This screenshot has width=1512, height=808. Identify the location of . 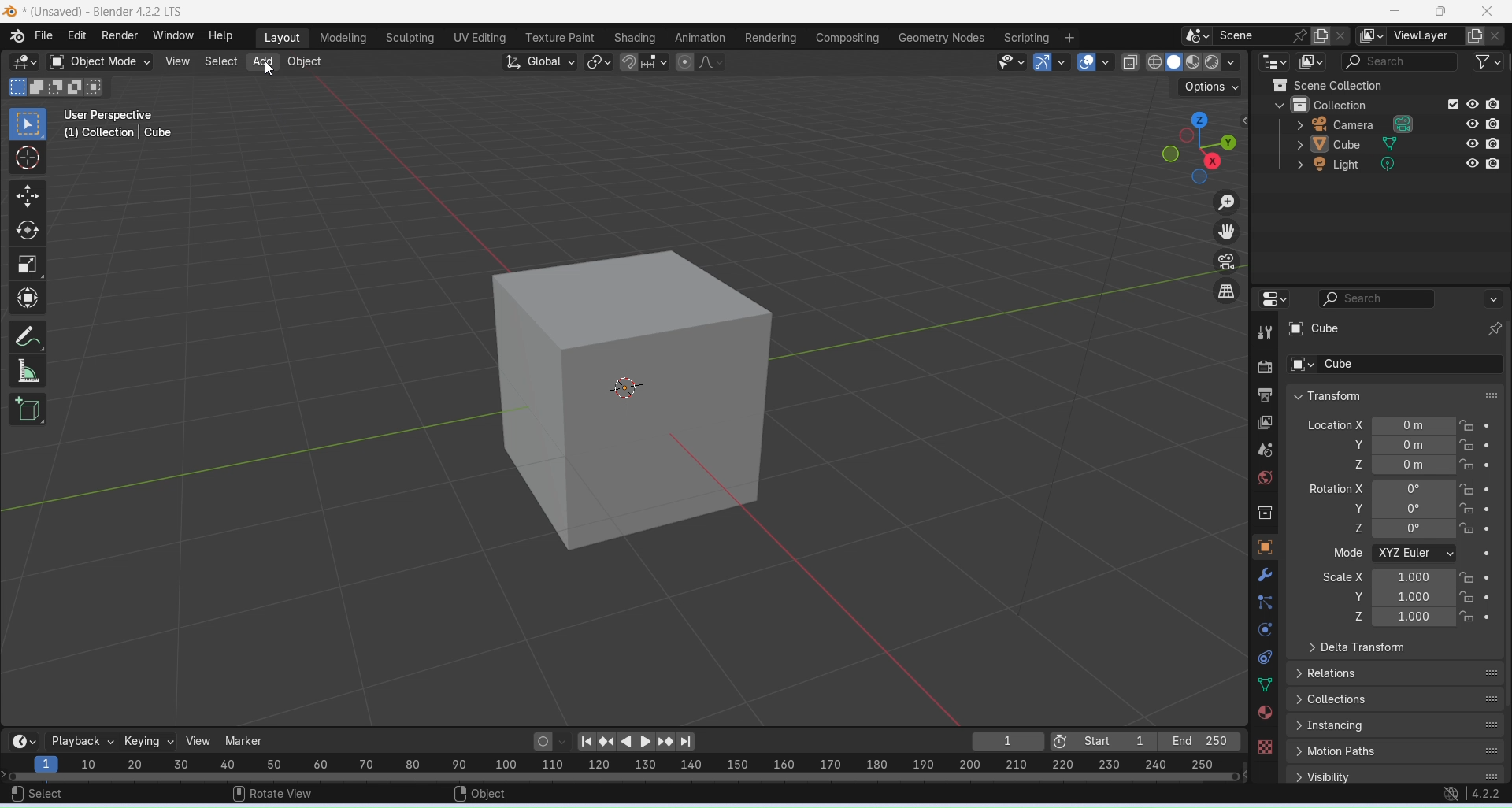
(1267, 450).